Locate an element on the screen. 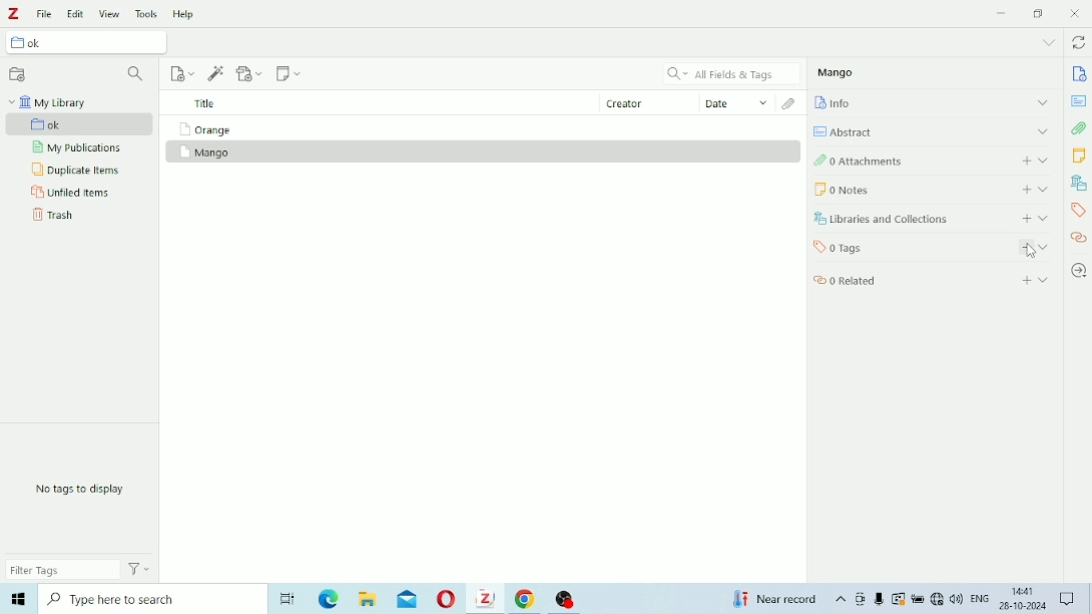 Image resolution: width=1092 pixels, height=614 pixels. Mic is located at coordinates (879, 598).